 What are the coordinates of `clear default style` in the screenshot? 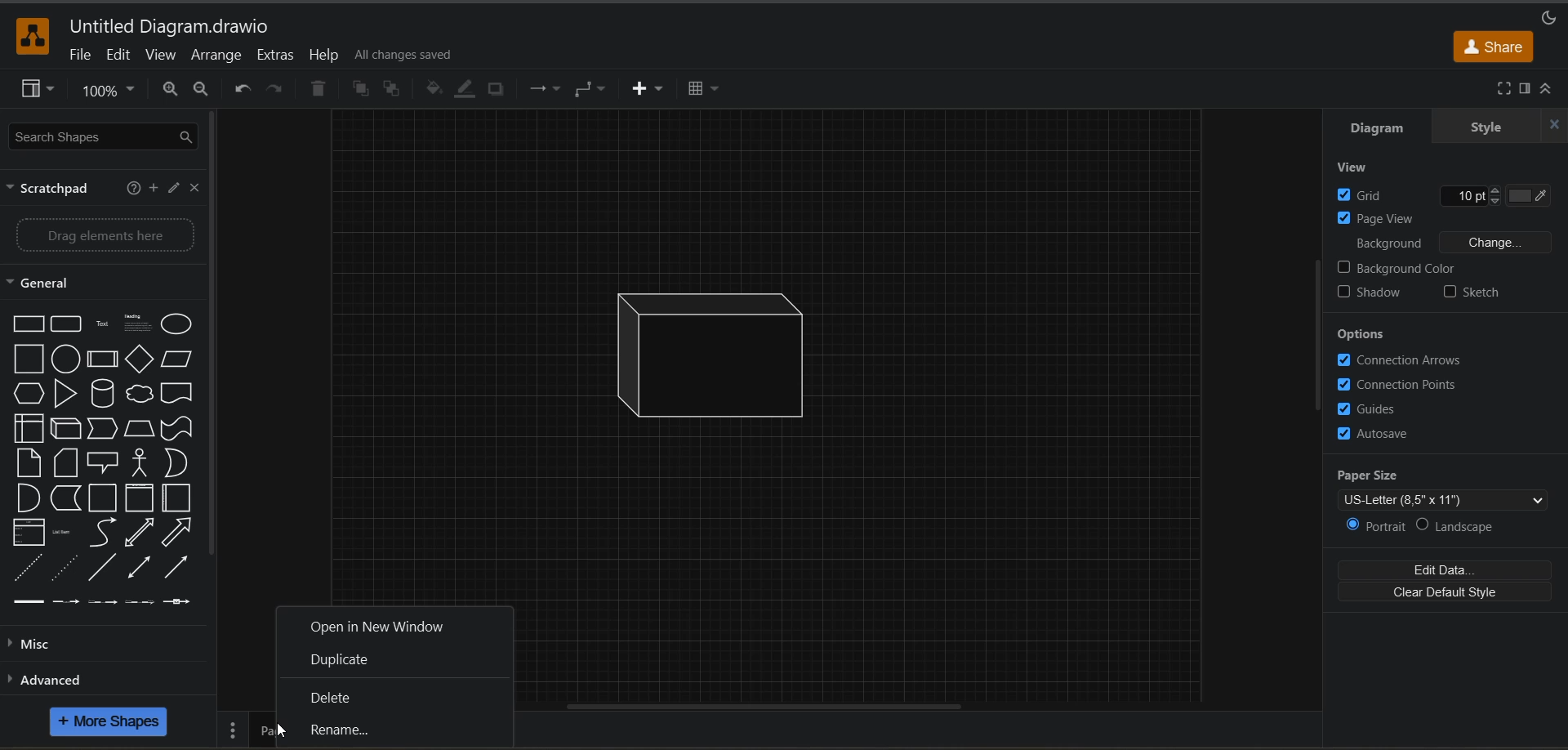 It's located at (1445, 594).